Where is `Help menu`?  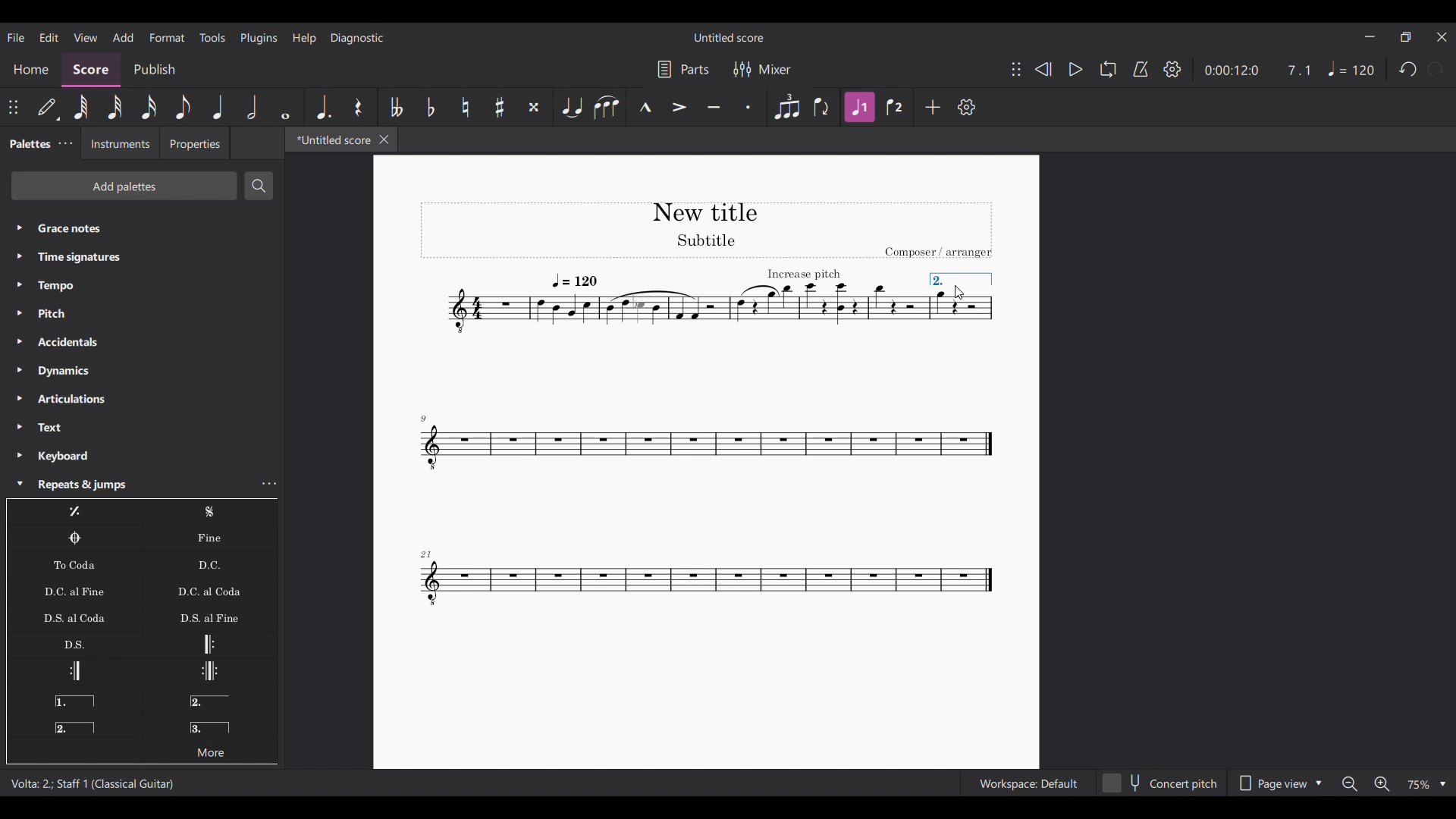
Help menu is located at coordinates (305, 39).